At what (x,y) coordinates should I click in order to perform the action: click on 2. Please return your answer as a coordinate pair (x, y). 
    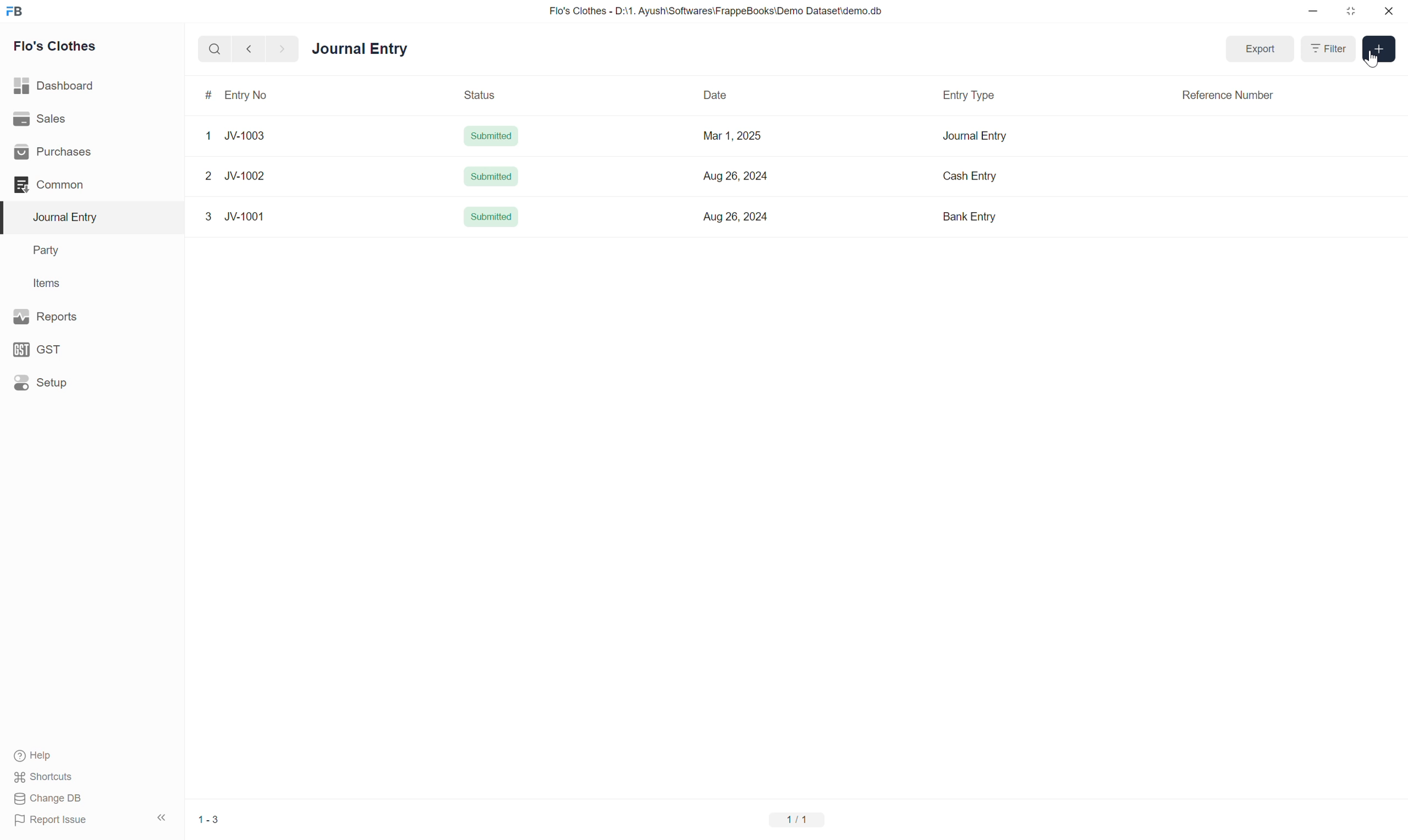
    Looking at the image, I should click on (207, 175).